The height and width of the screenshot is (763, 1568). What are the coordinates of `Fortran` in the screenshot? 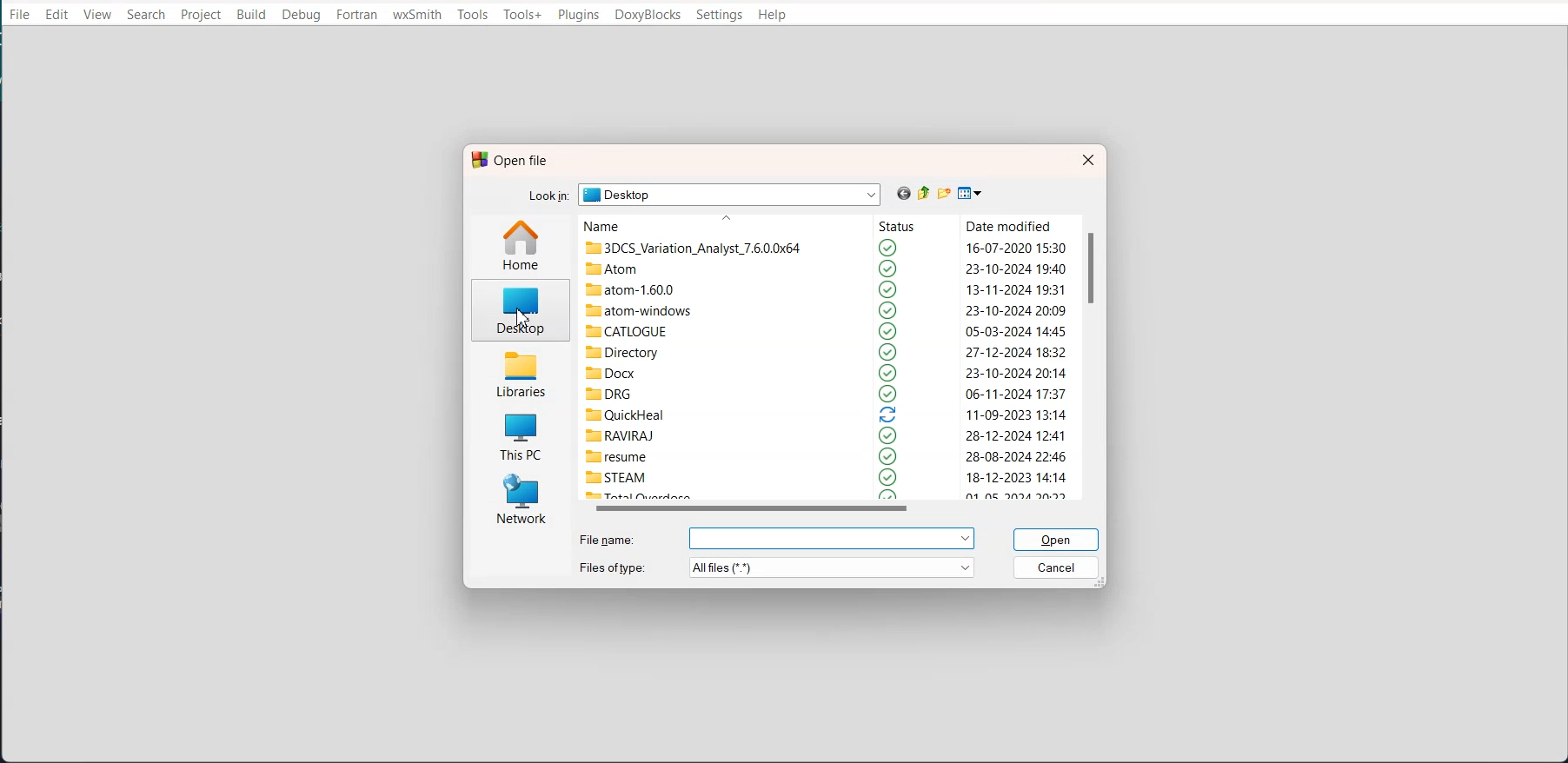 It's located at (357, 16).